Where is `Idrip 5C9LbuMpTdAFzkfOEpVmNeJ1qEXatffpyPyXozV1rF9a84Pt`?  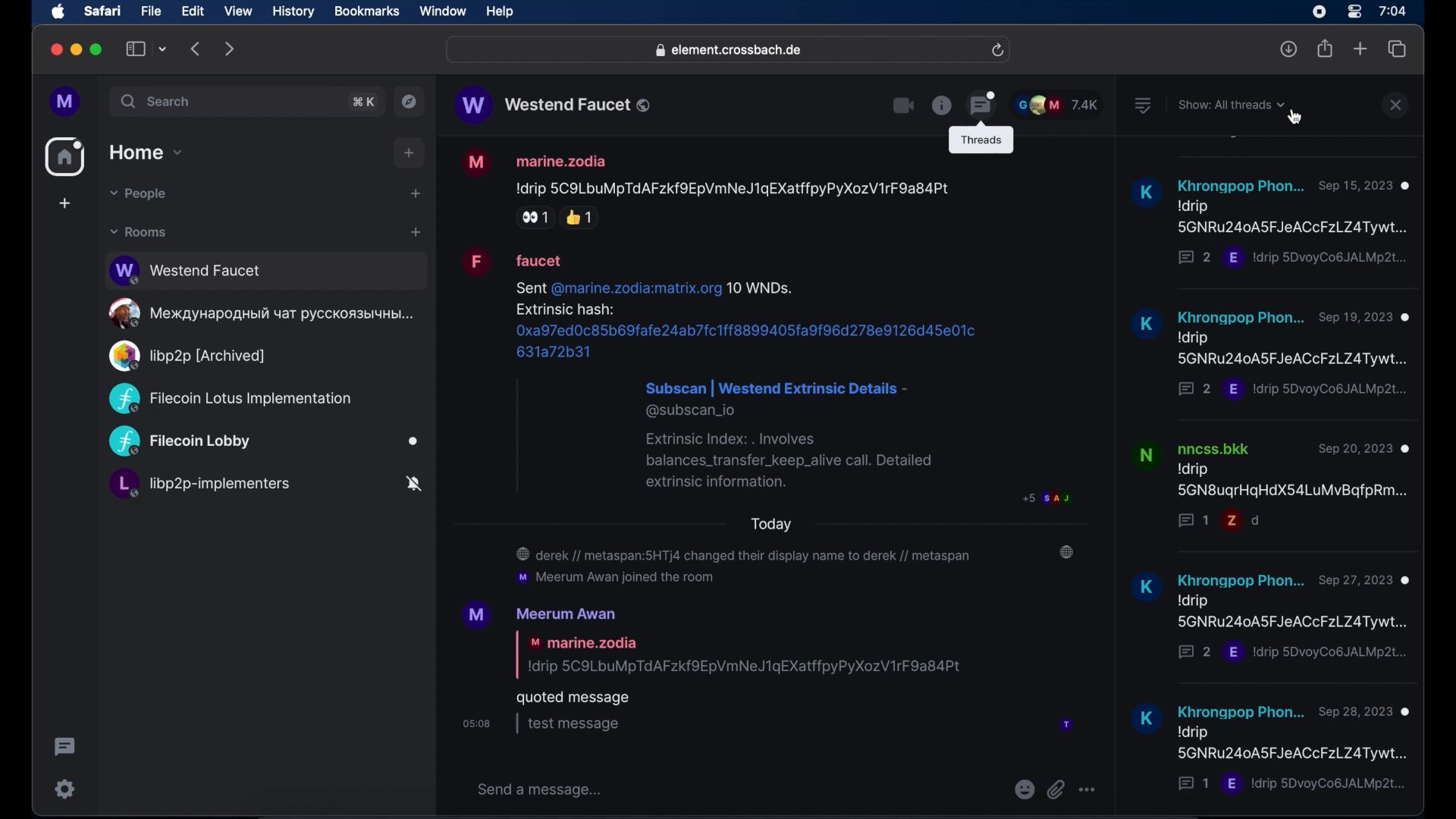
Idrip 5C9LbuMpTdAFzkfOEpVmNeJ1qEXatffpyPyXozV1rF9a84Pt is located at coordinates (739, 187).